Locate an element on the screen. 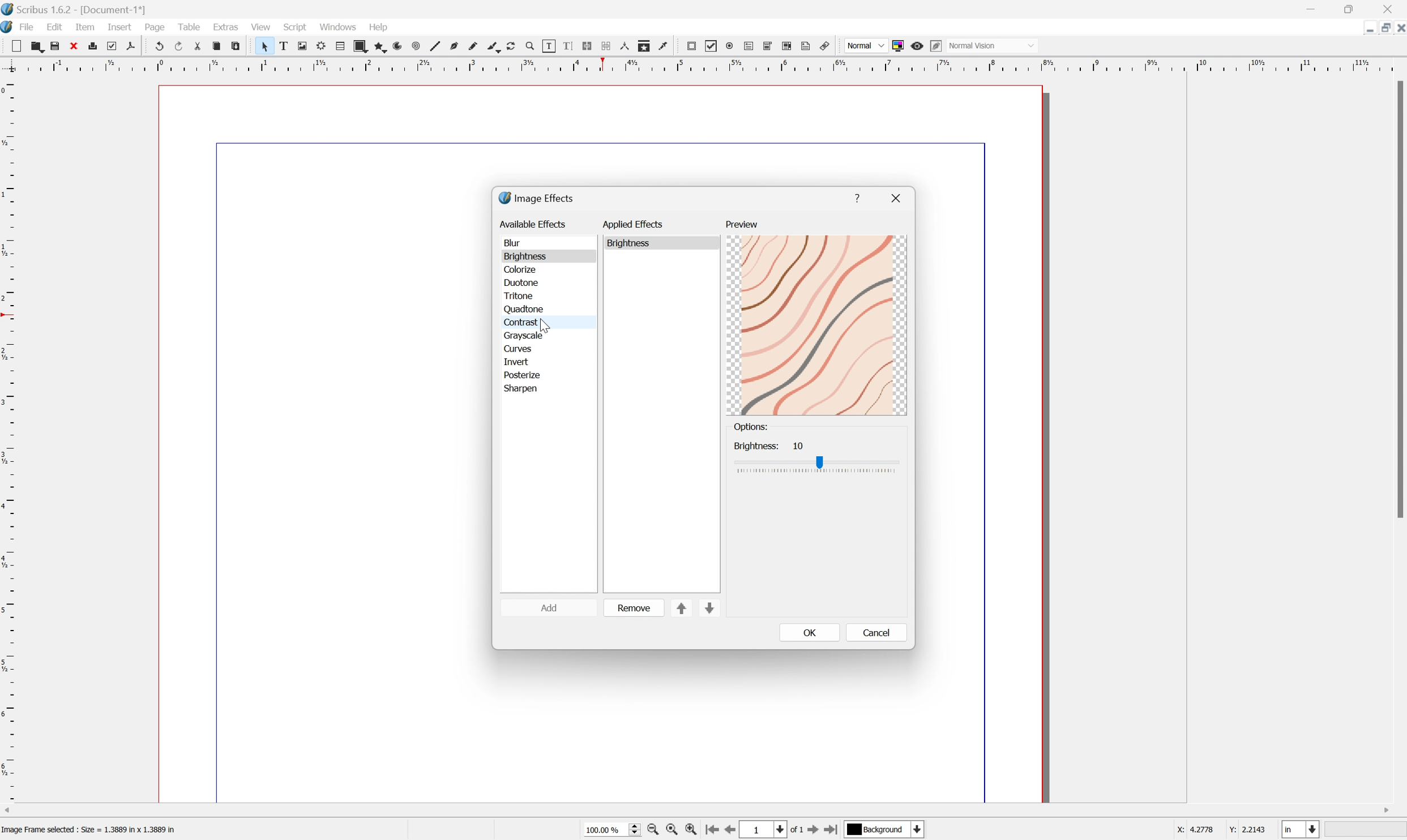  Line text frames is located at coordinates (588, 45).